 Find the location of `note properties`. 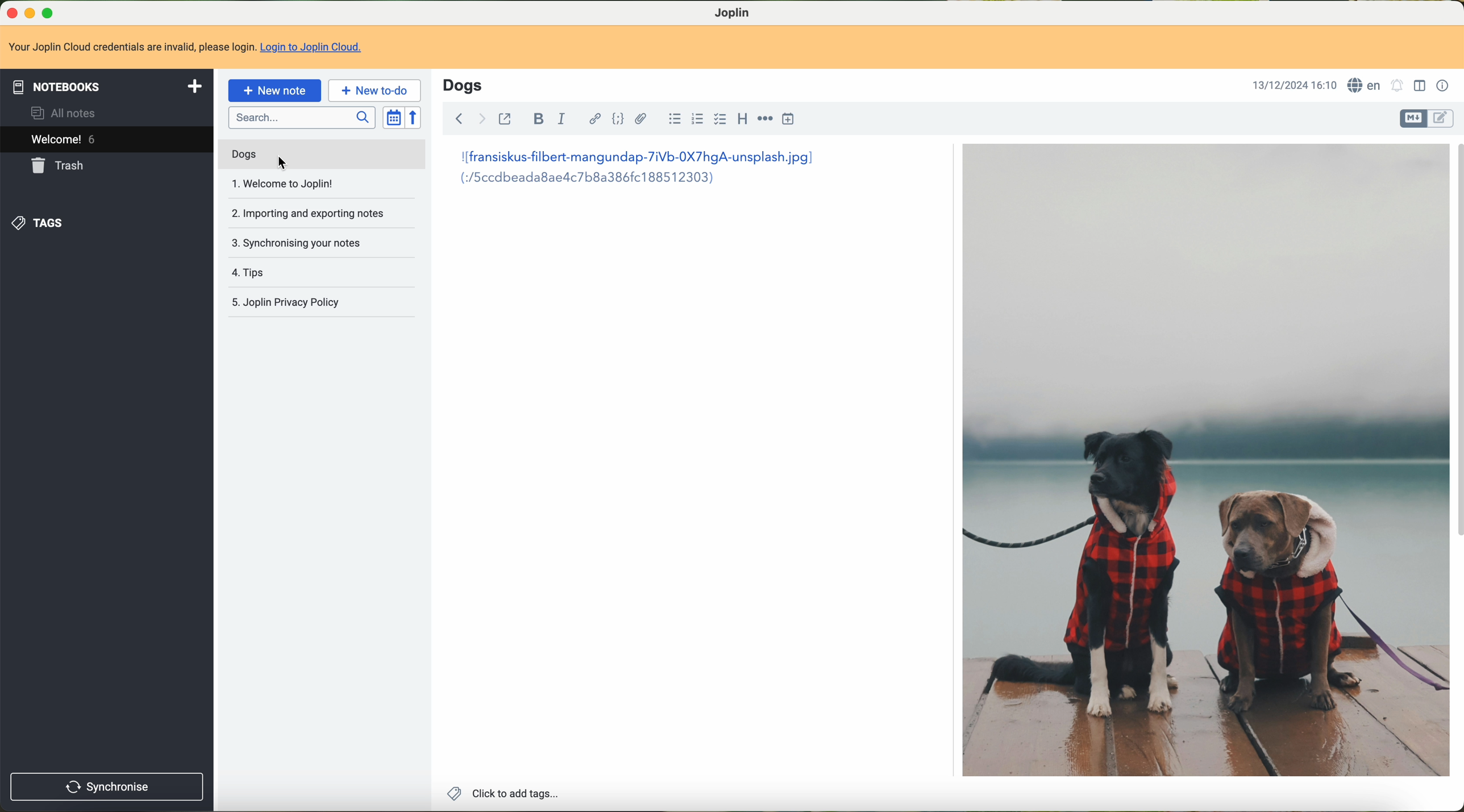

note properties is located at coordinates (1442, 85).